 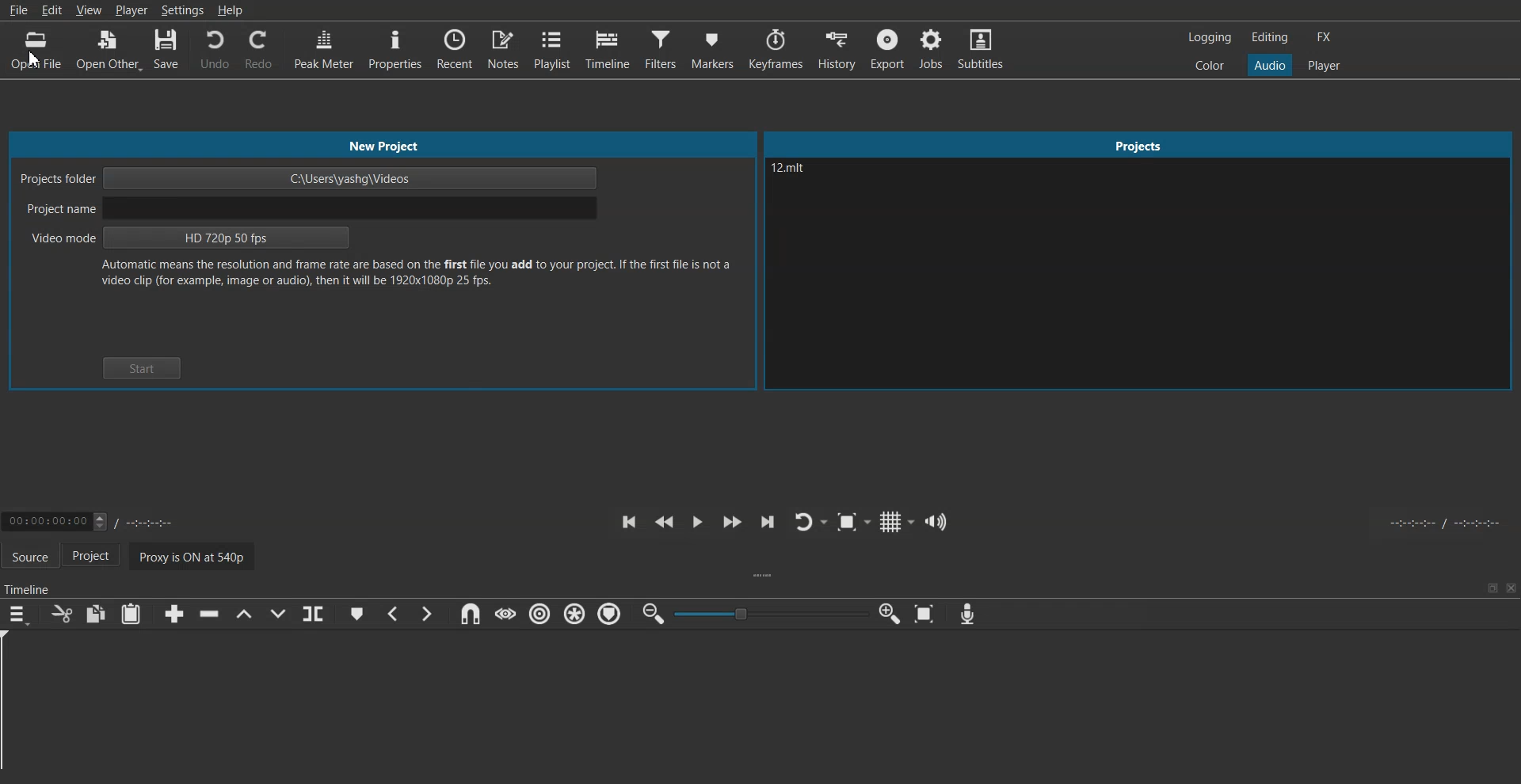 What do you see at coordinates (574, 613) in the screenshot?
I see `Ripple all track` at bounding box center [574, 613].